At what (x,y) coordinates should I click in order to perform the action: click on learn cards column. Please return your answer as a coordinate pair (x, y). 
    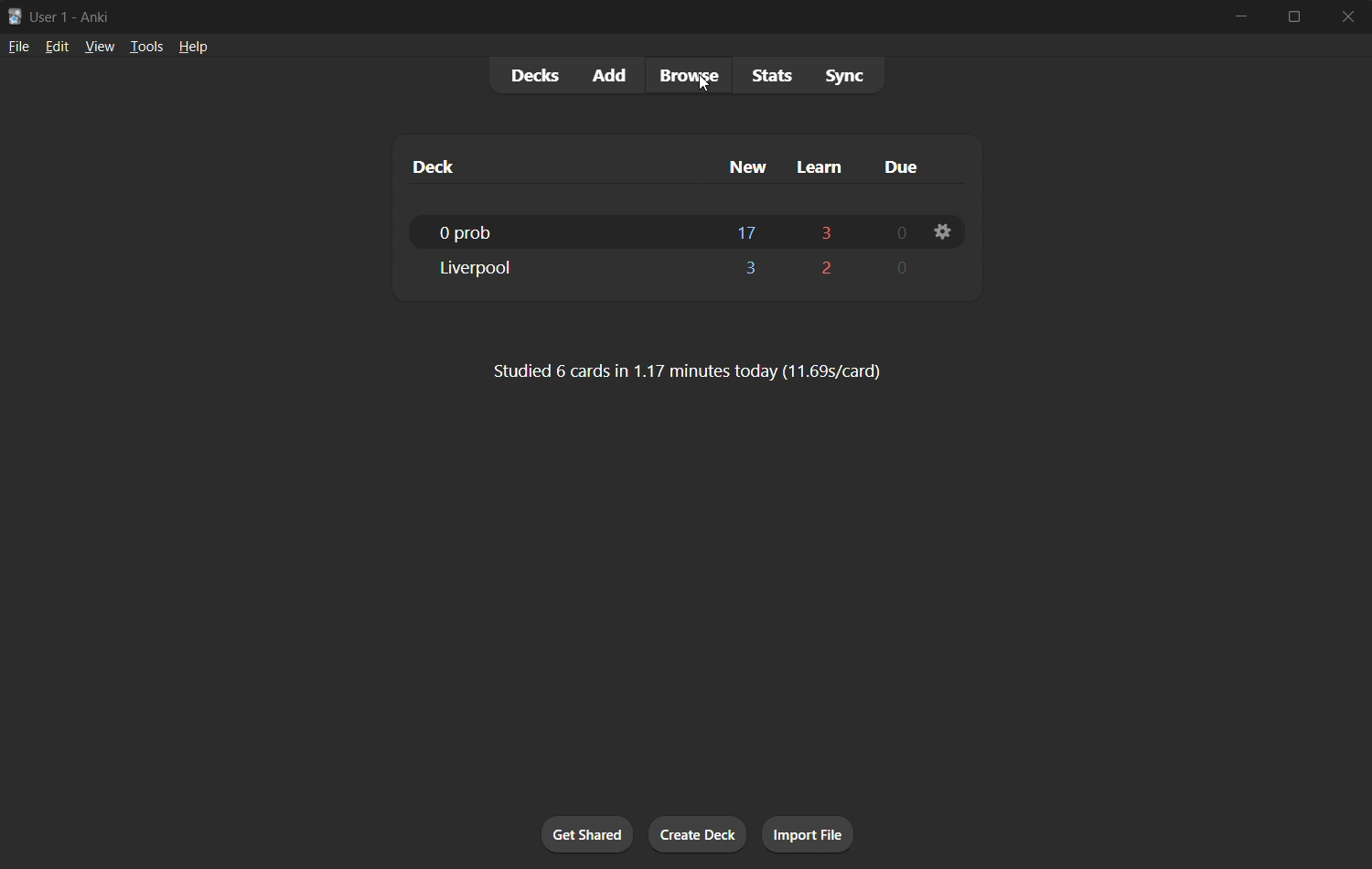
    Looking at the image, I should click on (826, 167).